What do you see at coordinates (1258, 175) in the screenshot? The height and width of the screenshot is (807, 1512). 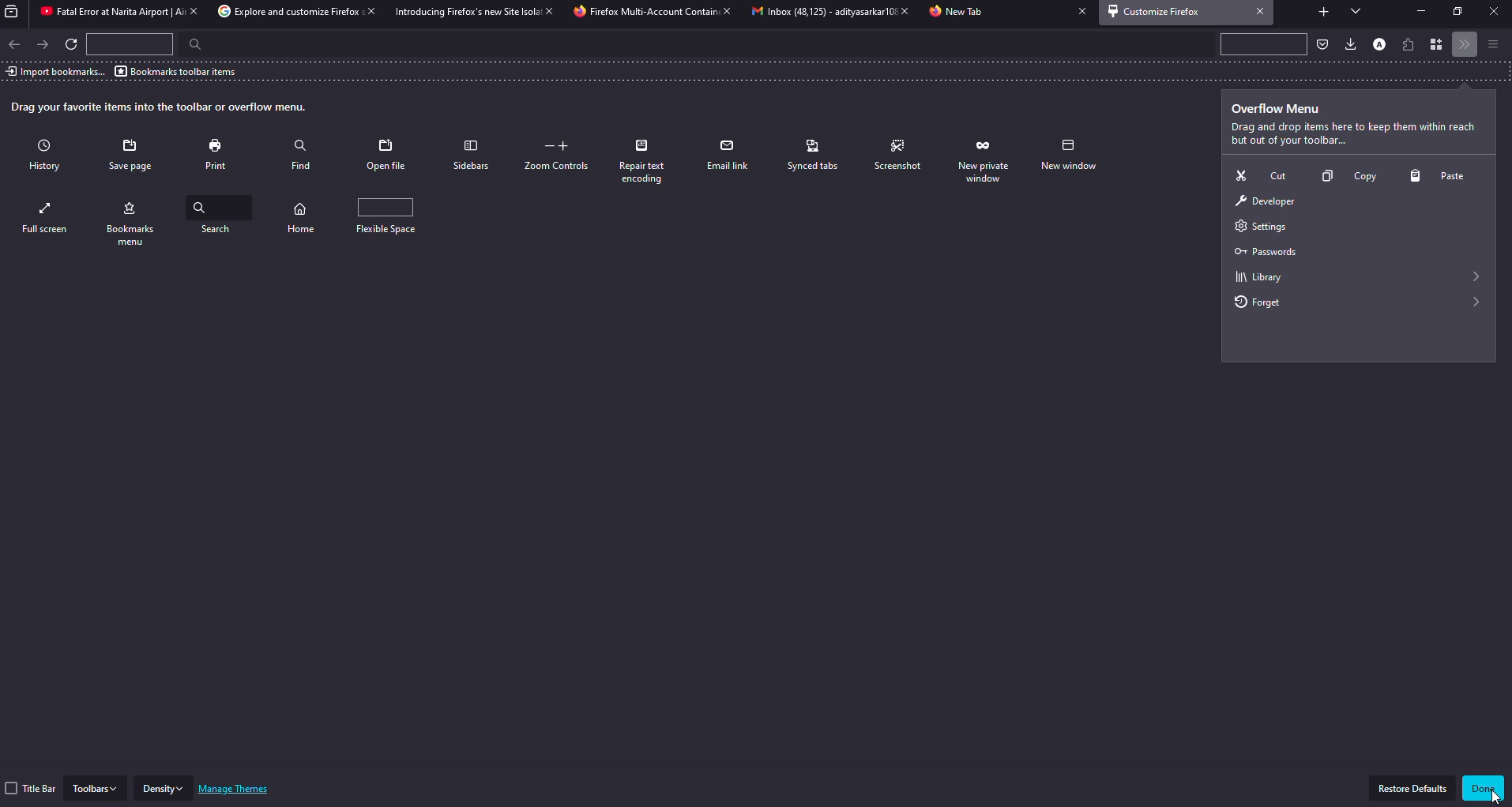 I see `cut` at bounding box center [1258, 175].